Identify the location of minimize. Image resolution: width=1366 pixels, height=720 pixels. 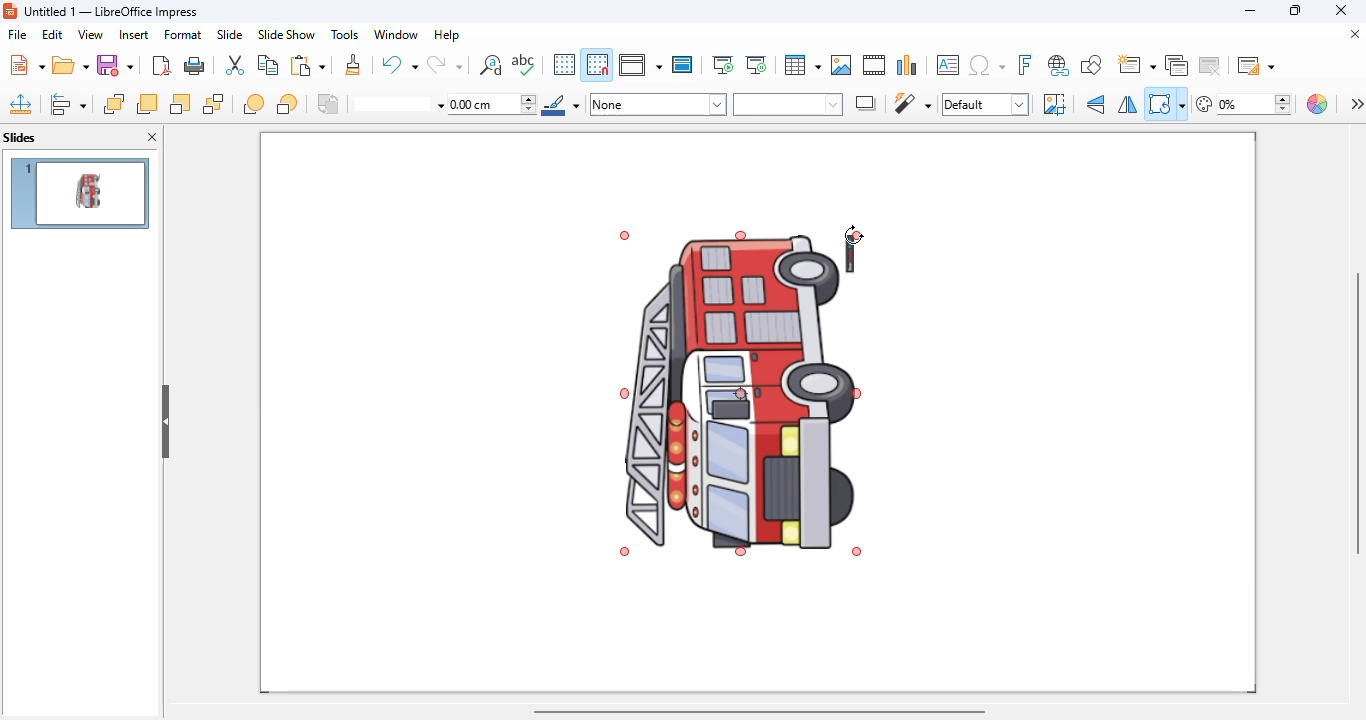
(1251, 10).